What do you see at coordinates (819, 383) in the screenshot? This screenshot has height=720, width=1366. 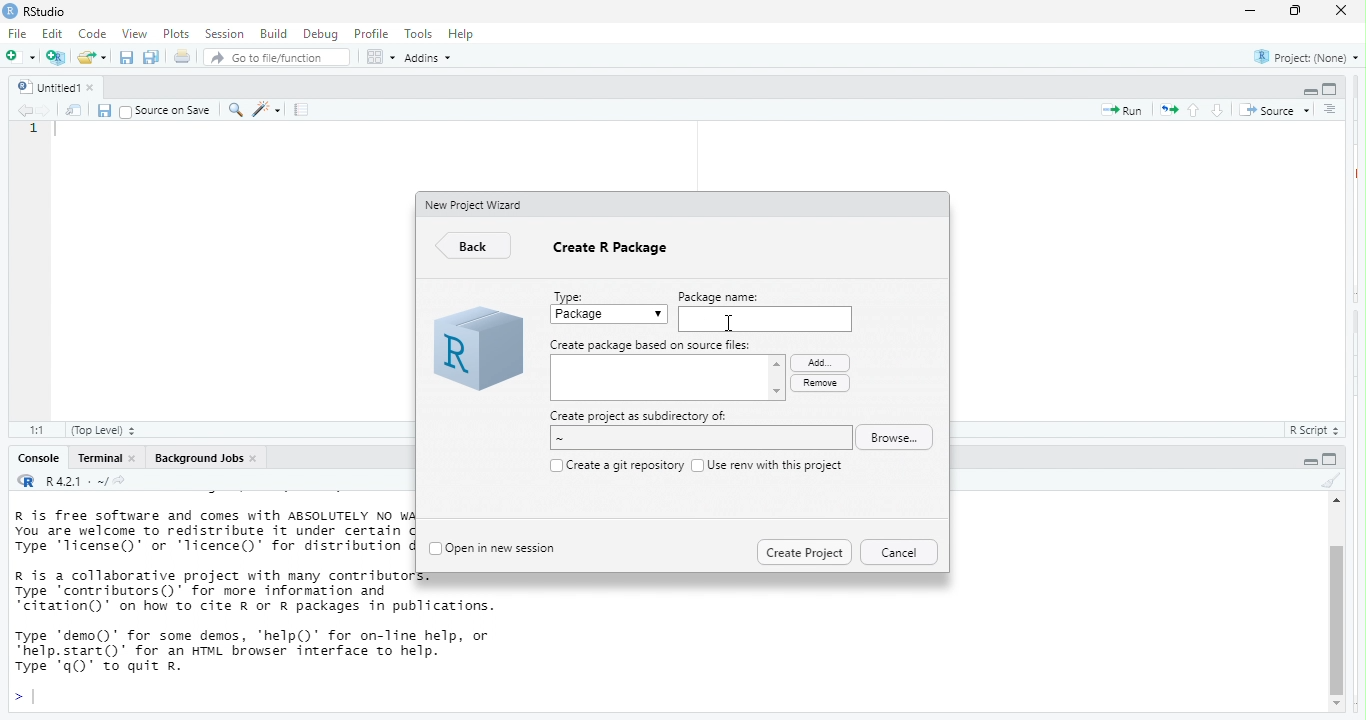 I see `remove` at bounding box center [819, 383].